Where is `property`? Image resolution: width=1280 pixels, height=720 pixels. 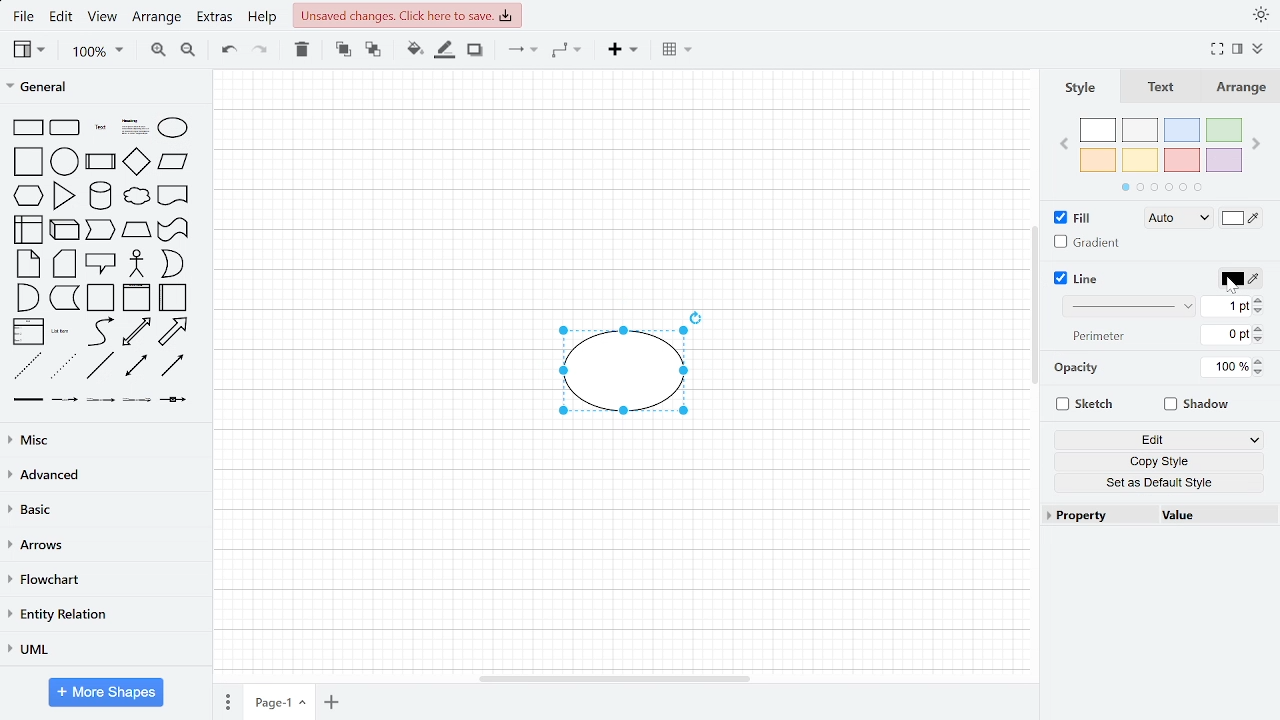 property is located at coordinates (1094, 517).